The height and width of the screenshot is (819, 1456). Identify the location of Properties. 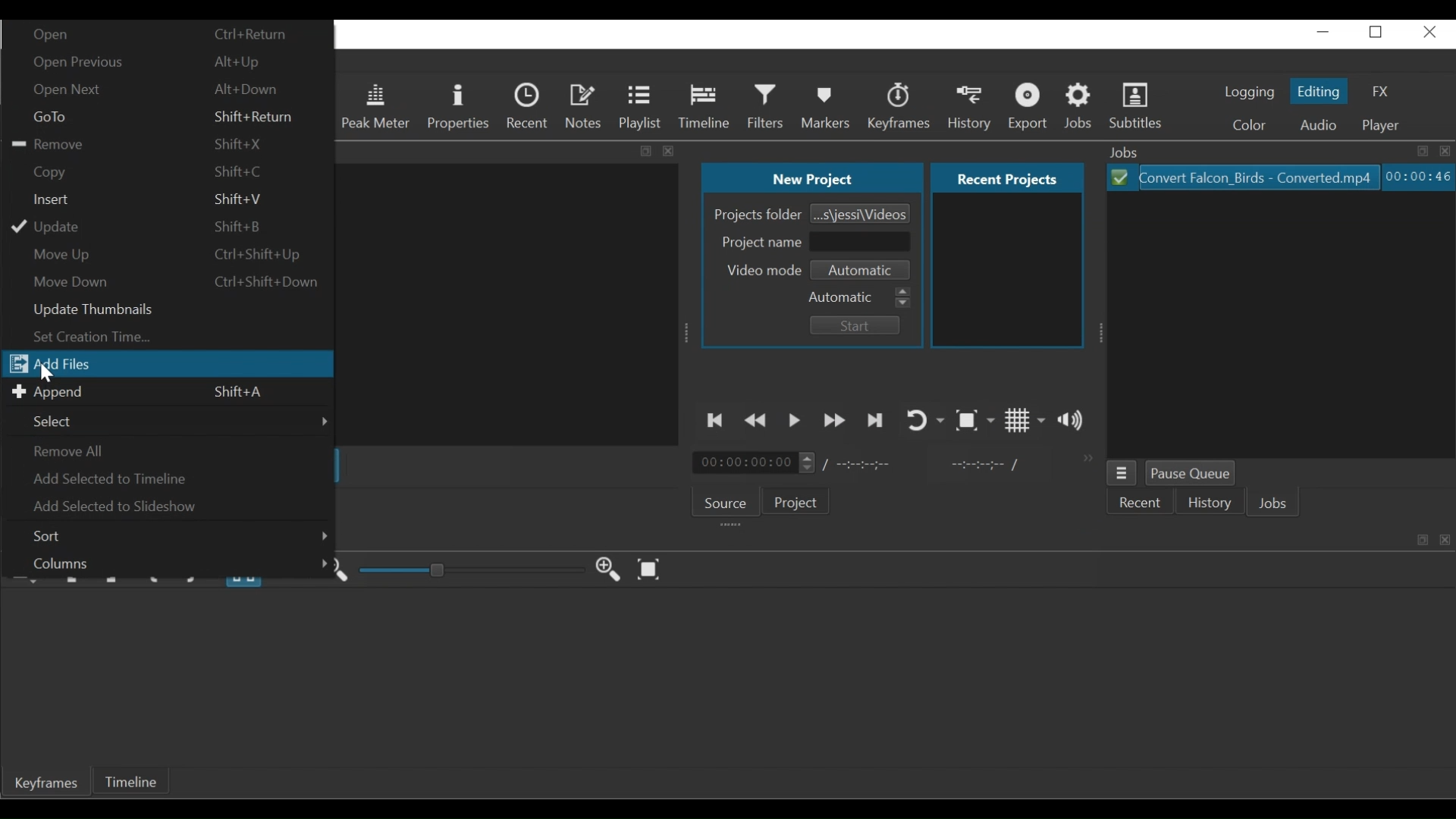
(459, 106).